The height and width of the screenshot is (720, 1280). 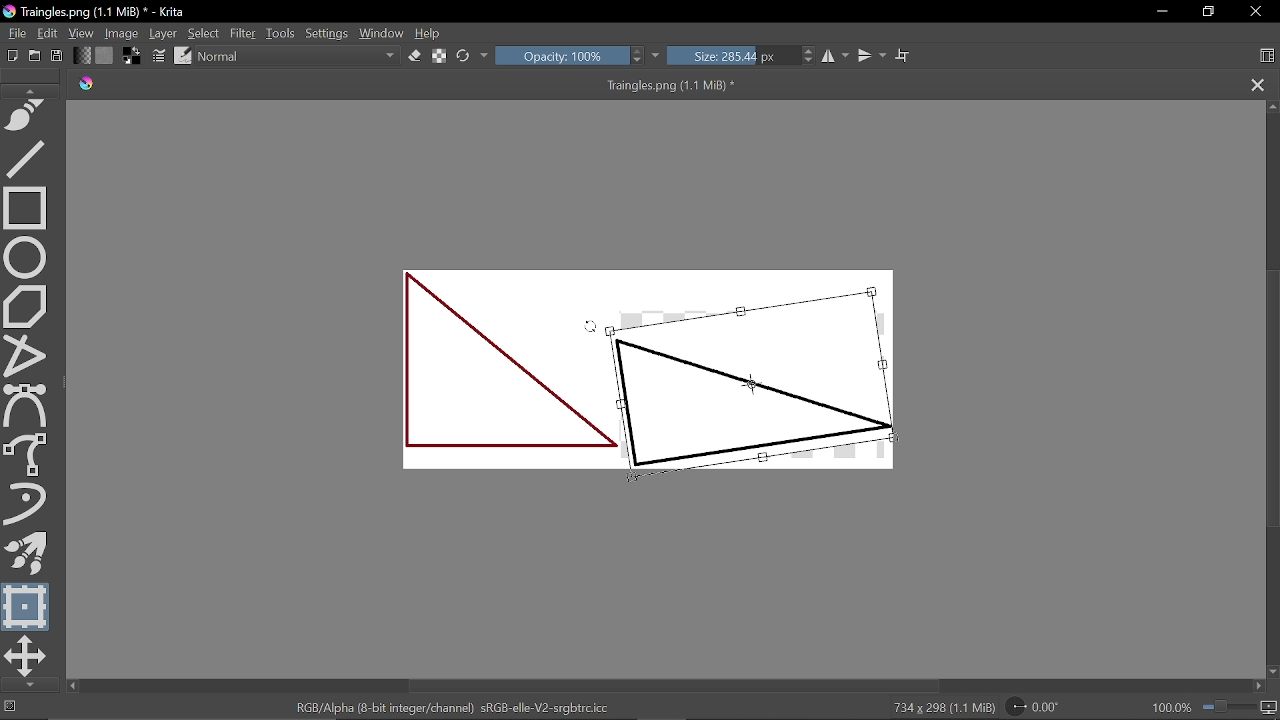 I want to click on Move up, so click(x=1272, y=107).